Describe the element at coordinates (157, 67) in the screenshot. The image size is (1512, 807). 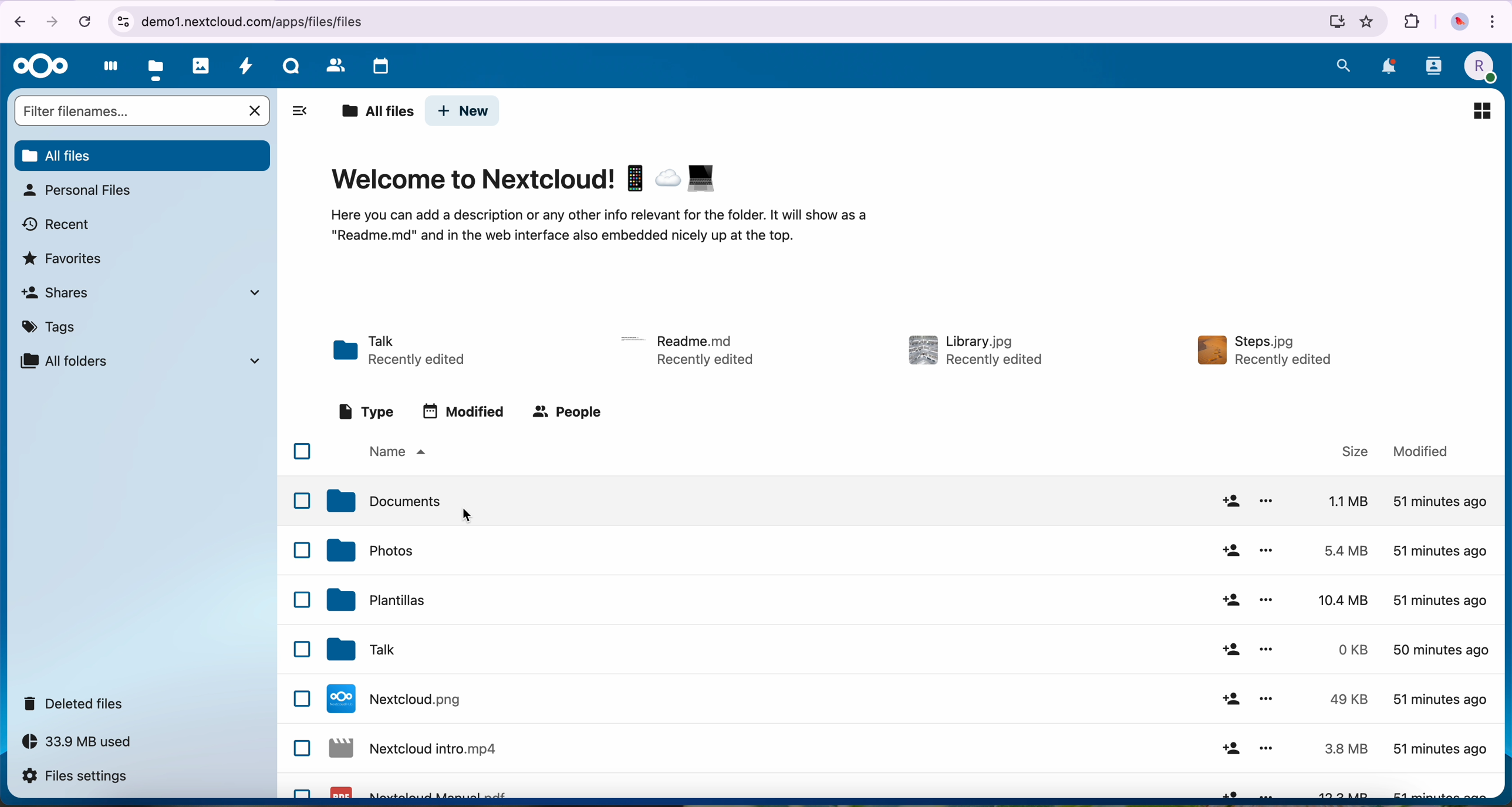
I see `files` at that location.